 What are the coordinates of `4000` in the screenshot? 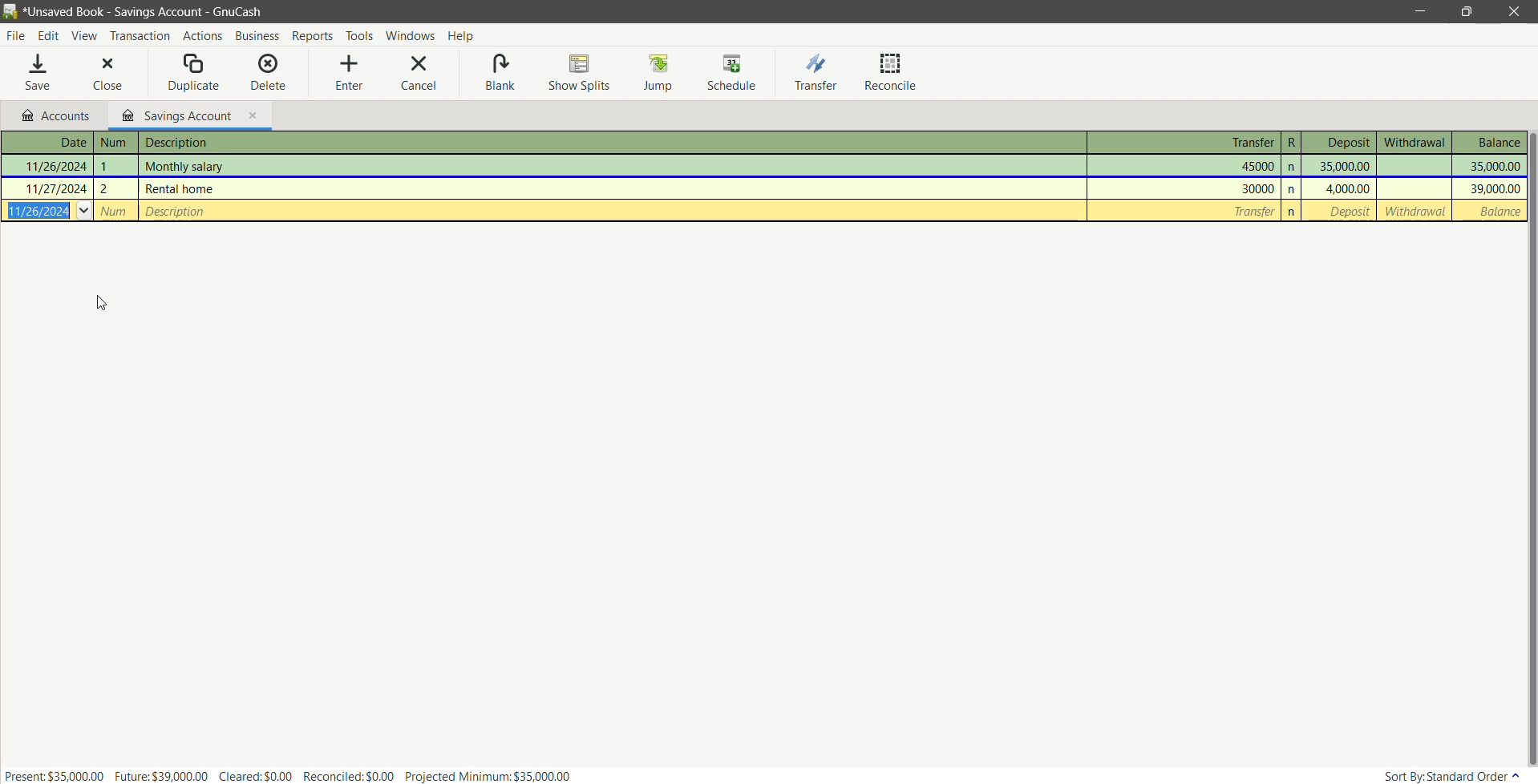 It's located at (1341, 188).